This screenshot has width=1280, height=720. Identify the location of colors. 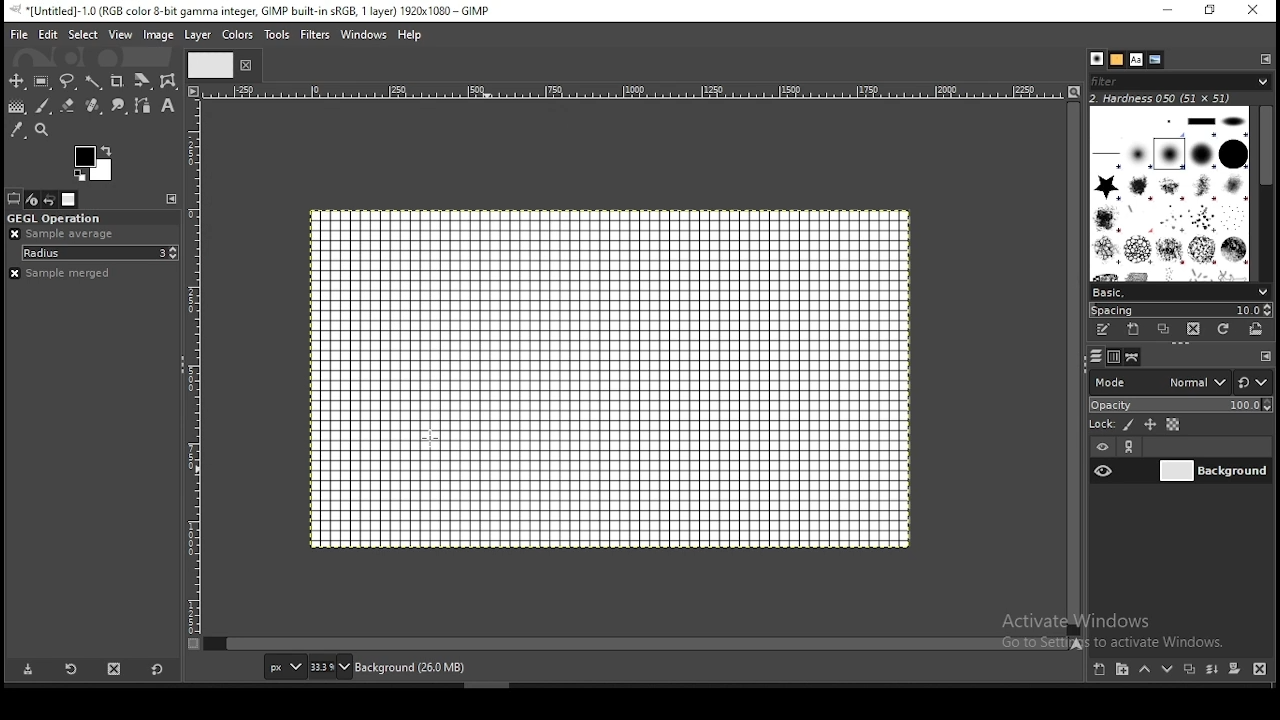
(97, 161).